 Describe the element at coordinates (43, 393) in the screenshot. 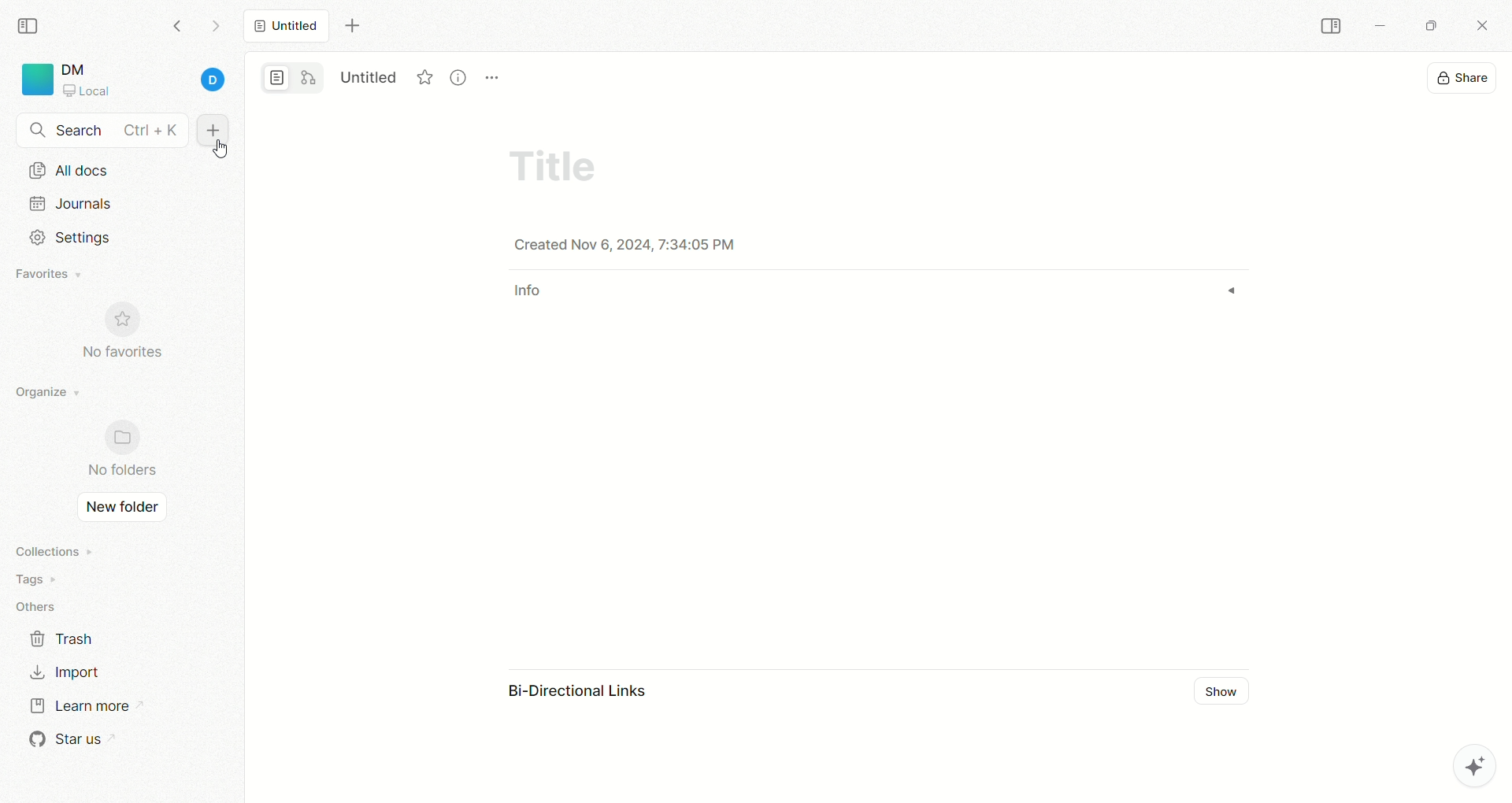

I see `organize` at that location.